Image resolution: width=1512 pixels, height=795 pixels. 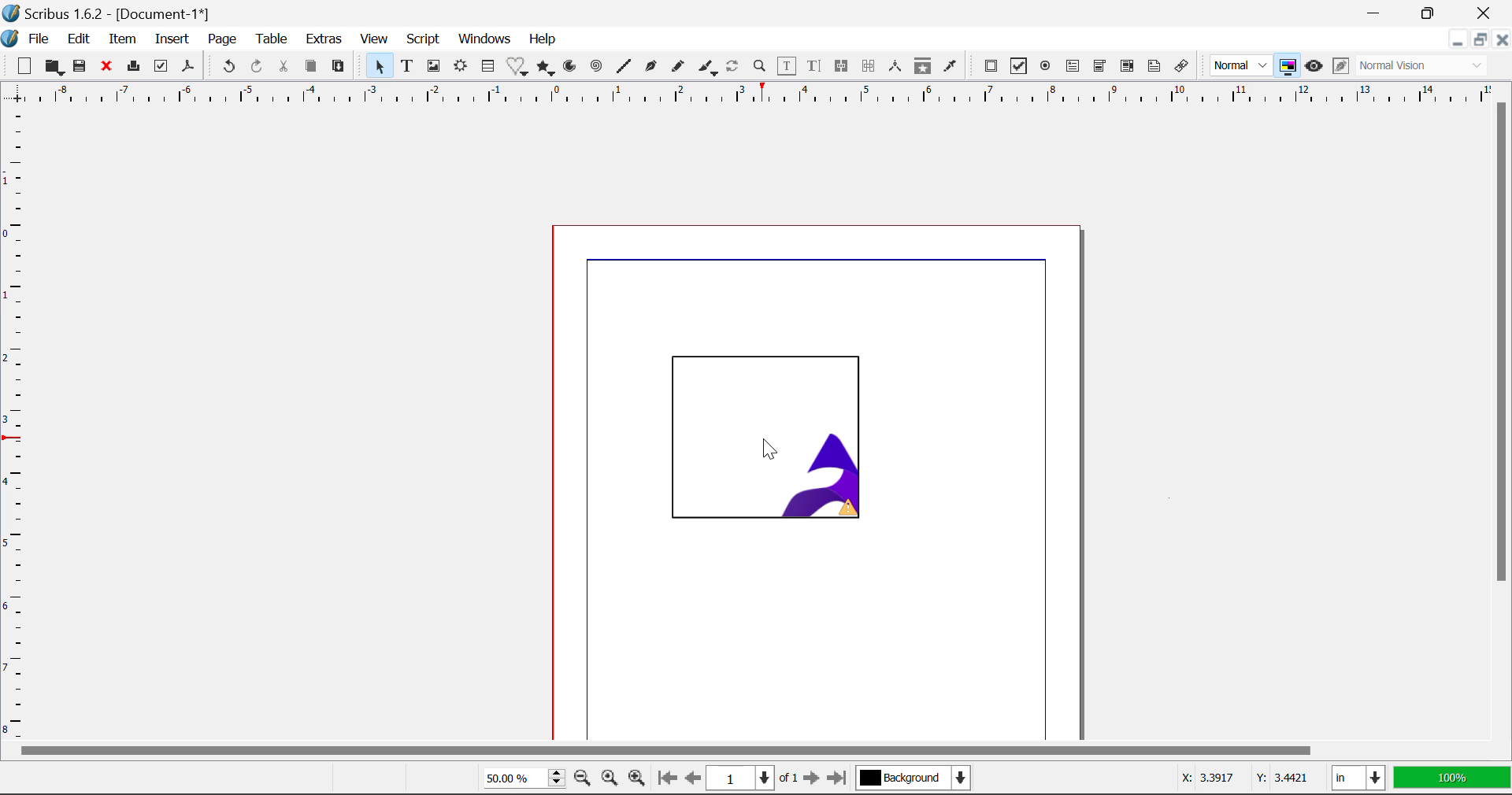 What do you see at coordinates (1484, 13) in the screenshot?
I see `Close` at bounding box center [1484, 13].